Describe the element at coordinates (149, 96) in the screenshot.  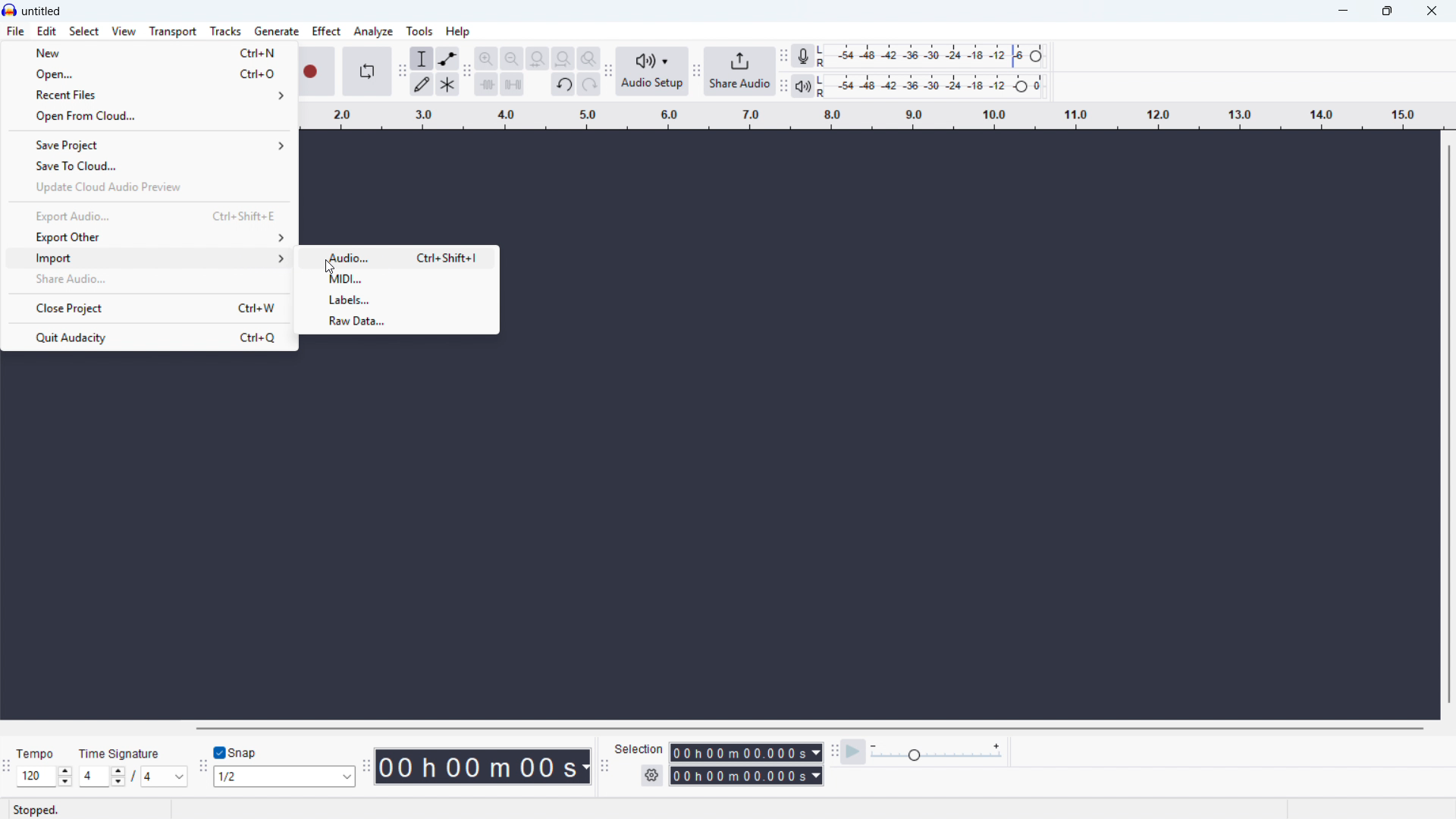
I see `Recent files ` at that location.